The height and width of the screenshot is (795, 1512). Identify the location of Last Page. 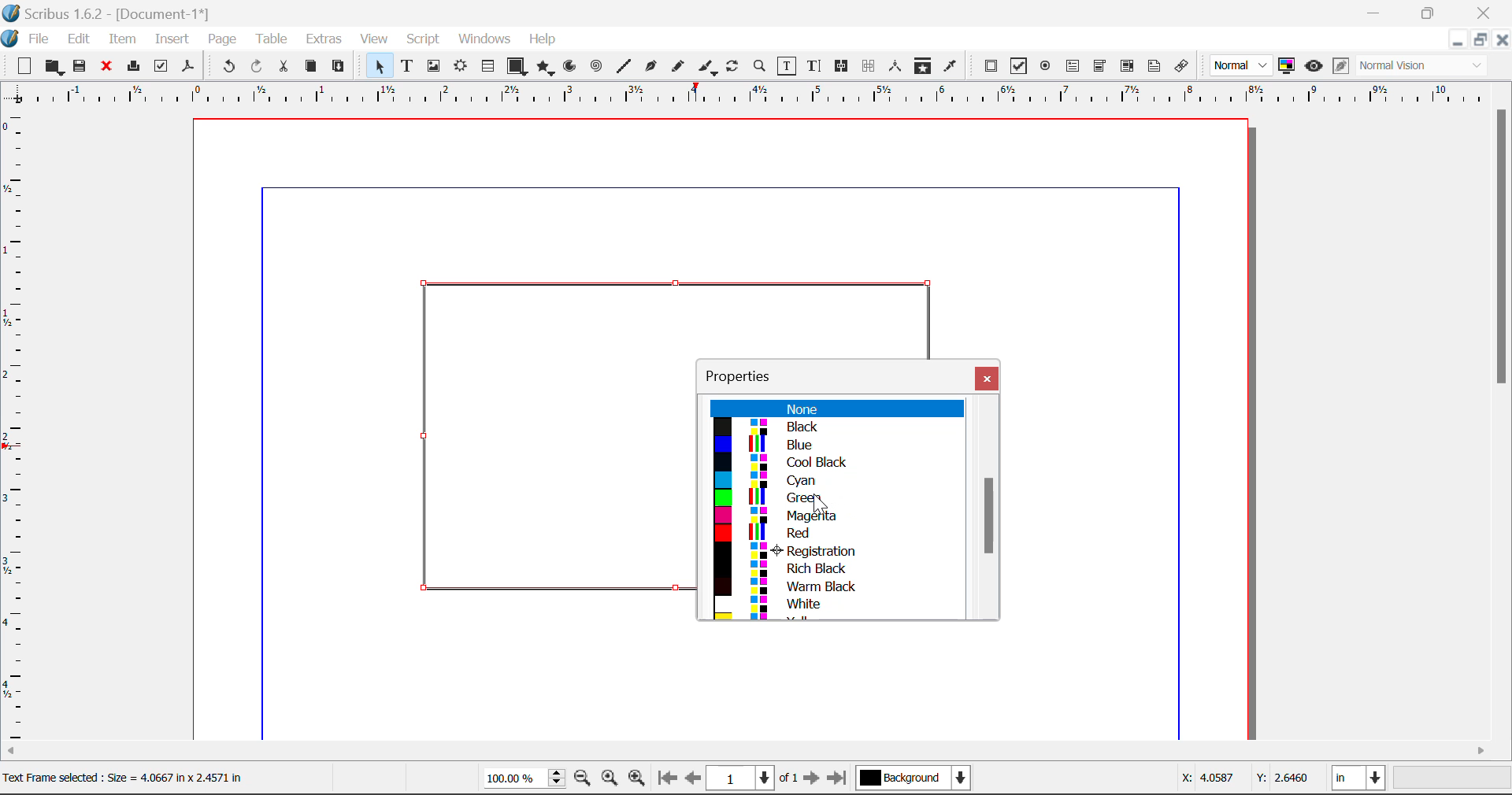
(839, 780).